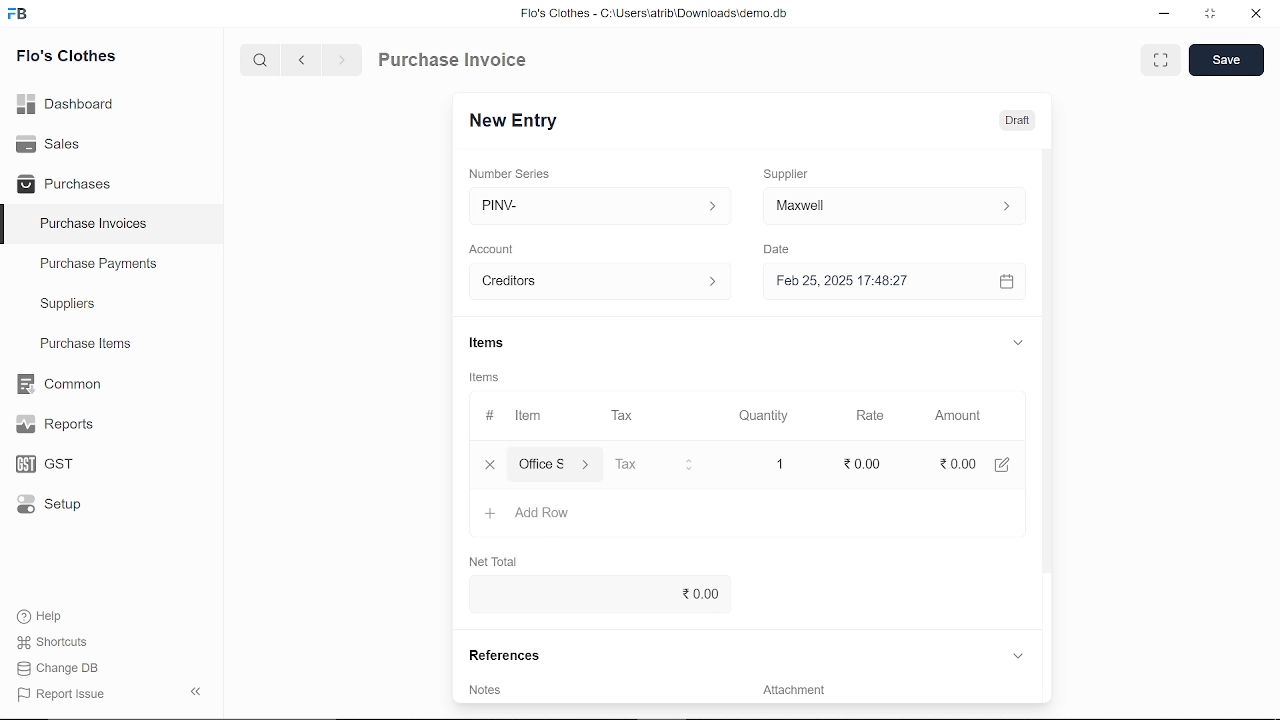 This screenshot has height=720, width=1280. Describe the element at coordinates (66, 57) in the screenshot. I see `Flo's Clothes` at that location.